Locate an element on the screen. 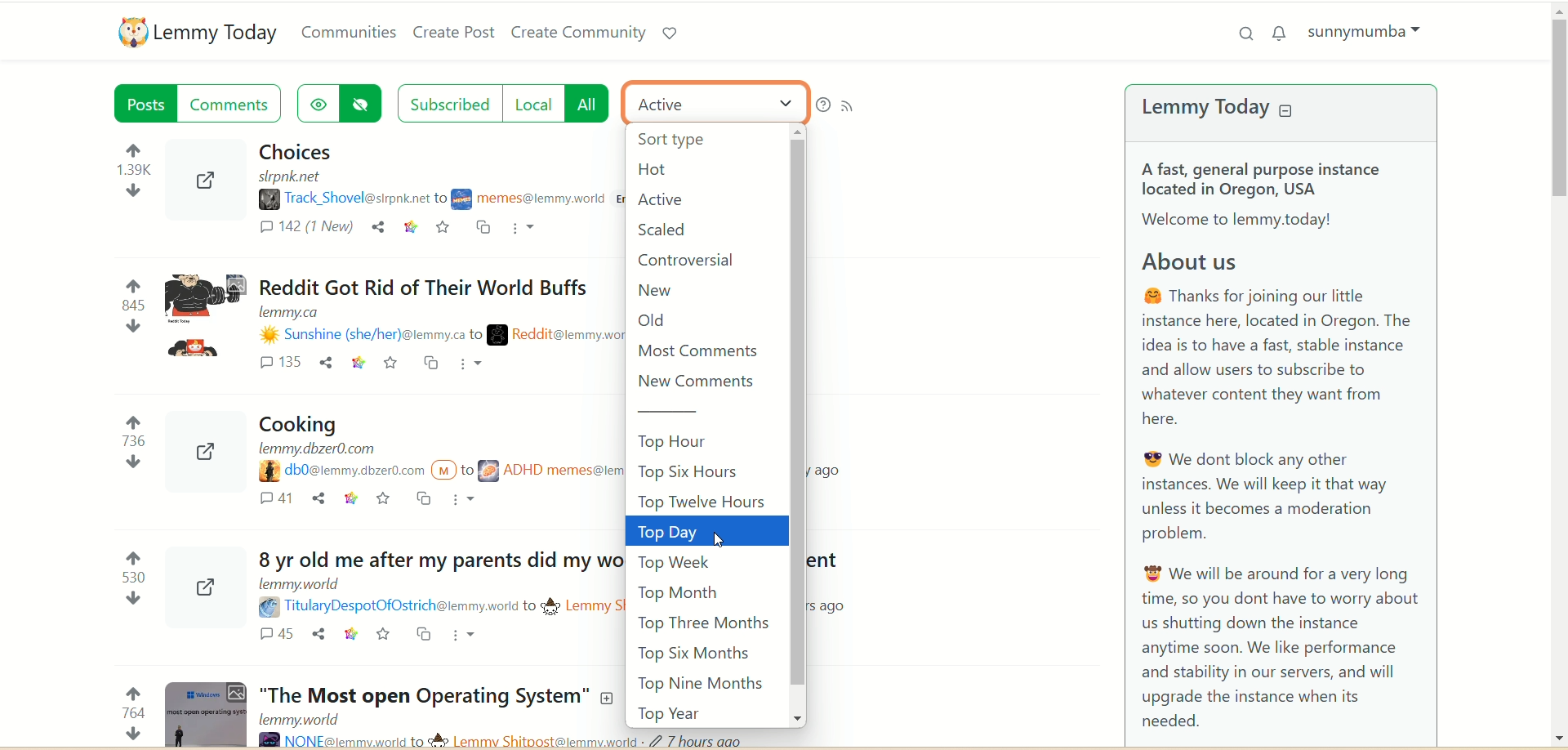 The width and height of the screenshot is (1568, 750). scaled is located at coordinates (662, 230).